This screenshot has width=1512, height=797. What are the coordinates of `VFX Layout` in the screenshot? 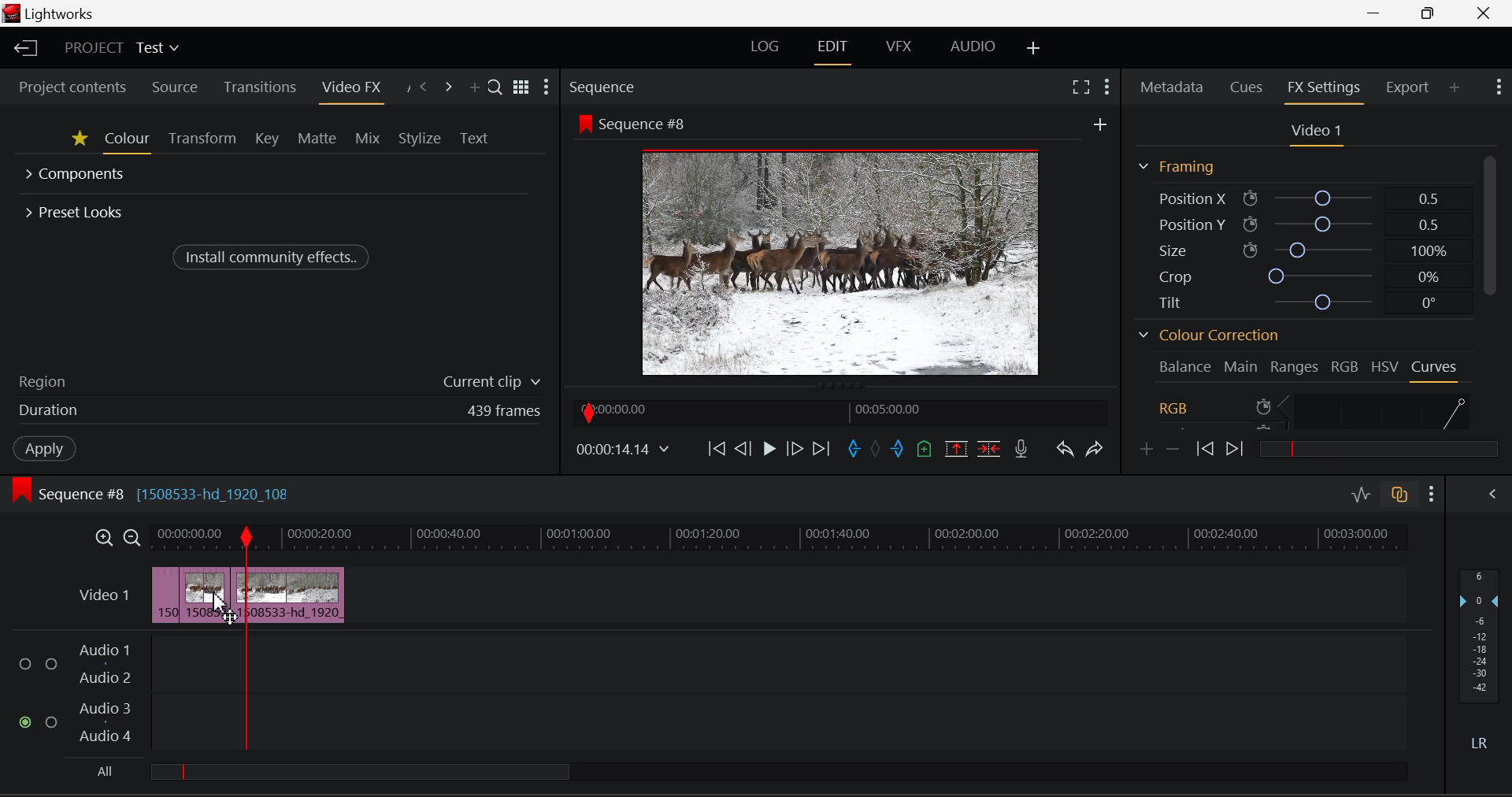 It's located at (897, 48).